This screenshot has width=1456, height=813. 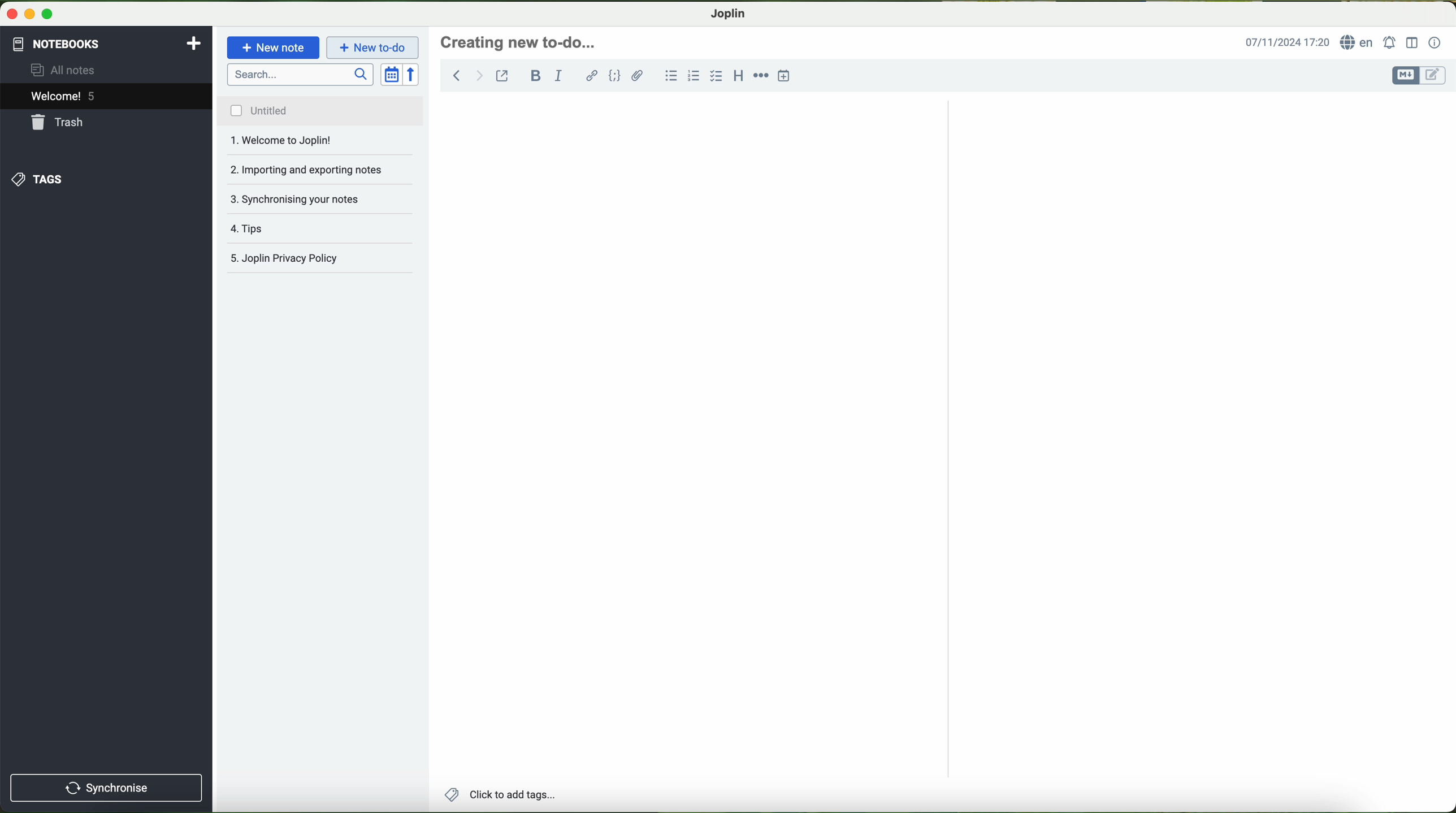 What do you see at coordinates (739, 75) in the screenshot?
I see `heading` at bounding box center [739, 75].